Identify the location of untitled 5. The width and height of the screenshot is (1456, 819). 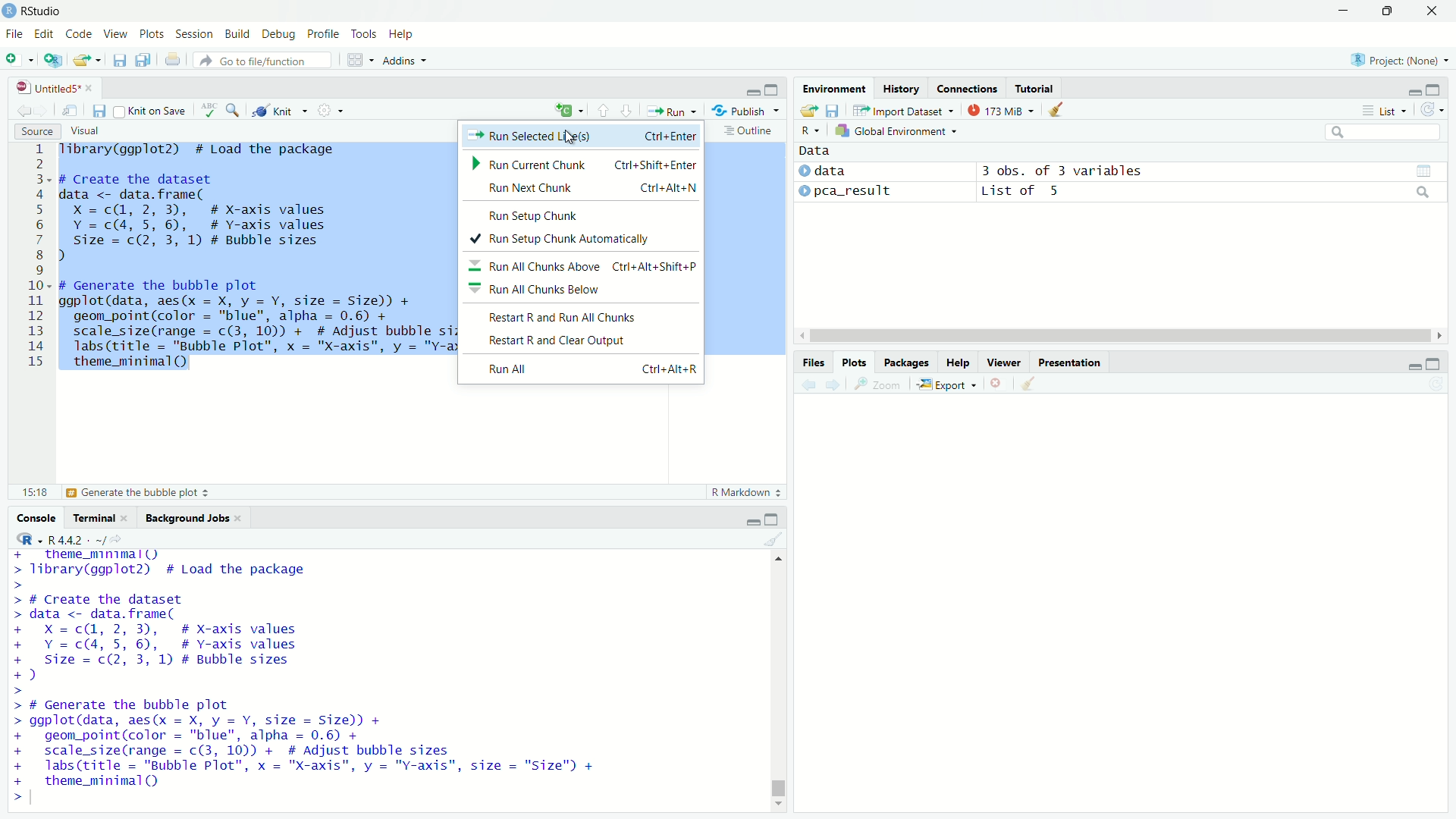
(51, 88).